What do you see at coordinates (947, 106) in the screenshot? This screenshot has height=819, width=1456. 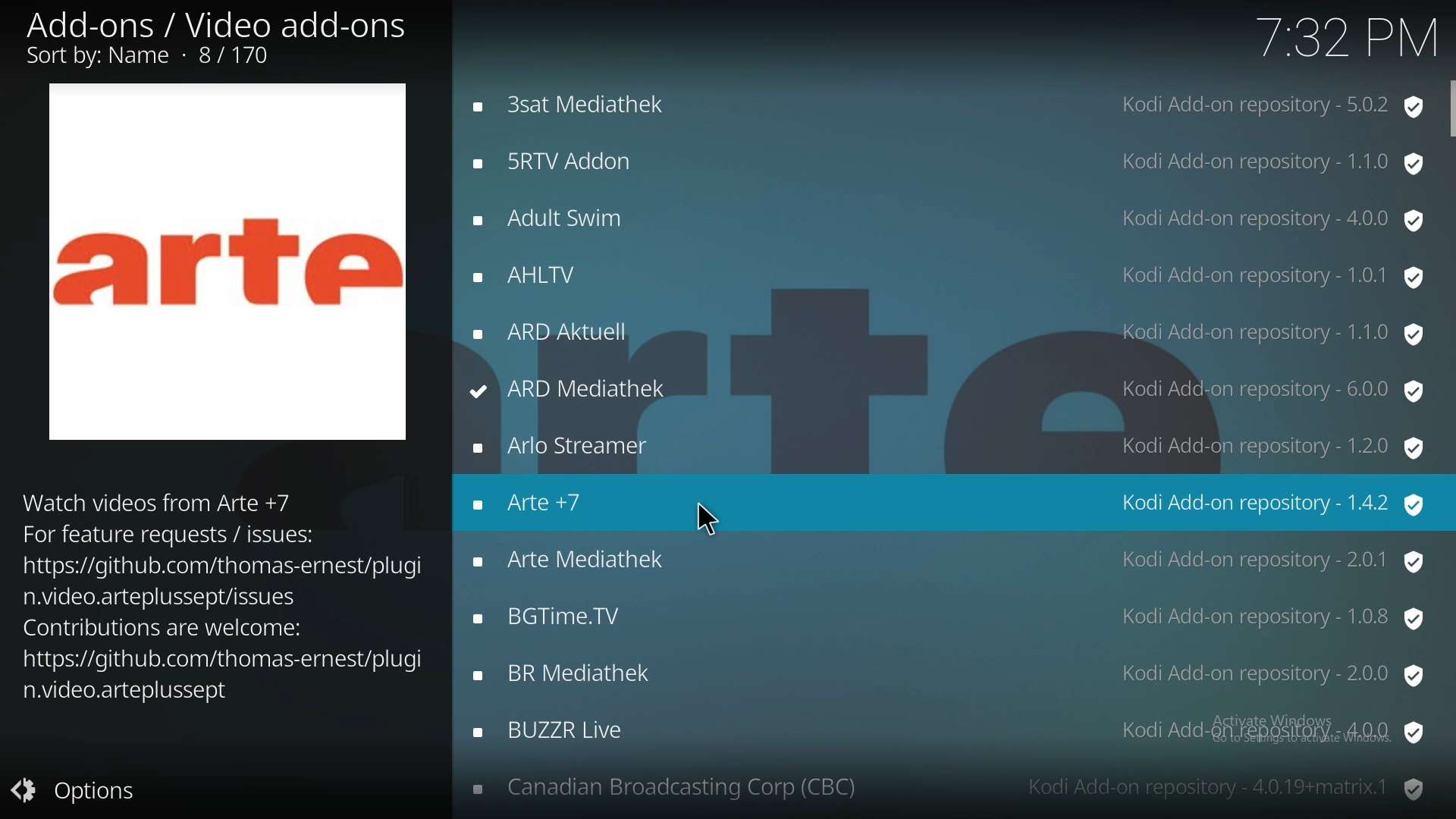 I see `add on` at bounding box center [947, 106].